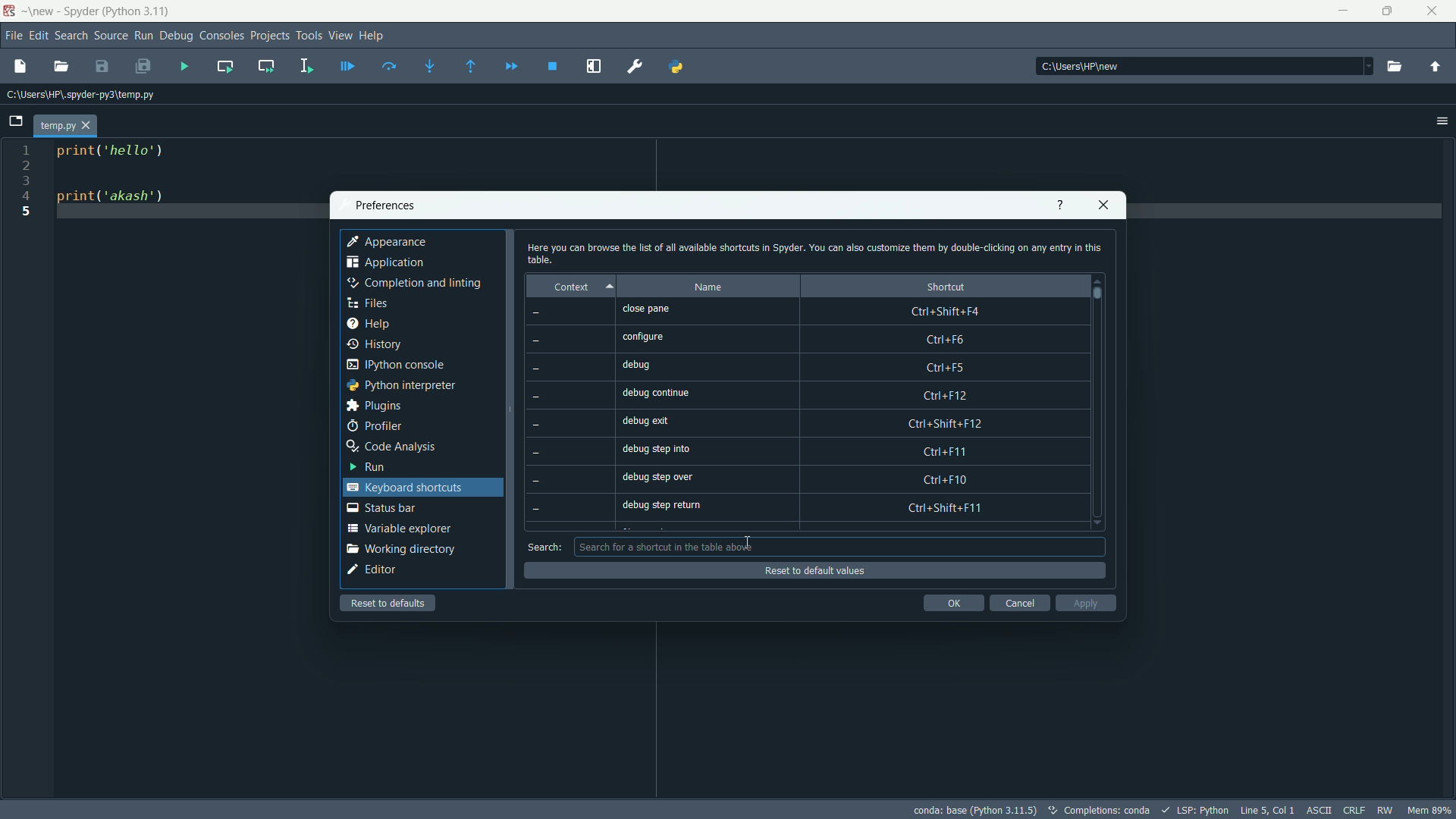  Describe the element at coordinates (371, 468) in the screenshot. I see `run` at that location.